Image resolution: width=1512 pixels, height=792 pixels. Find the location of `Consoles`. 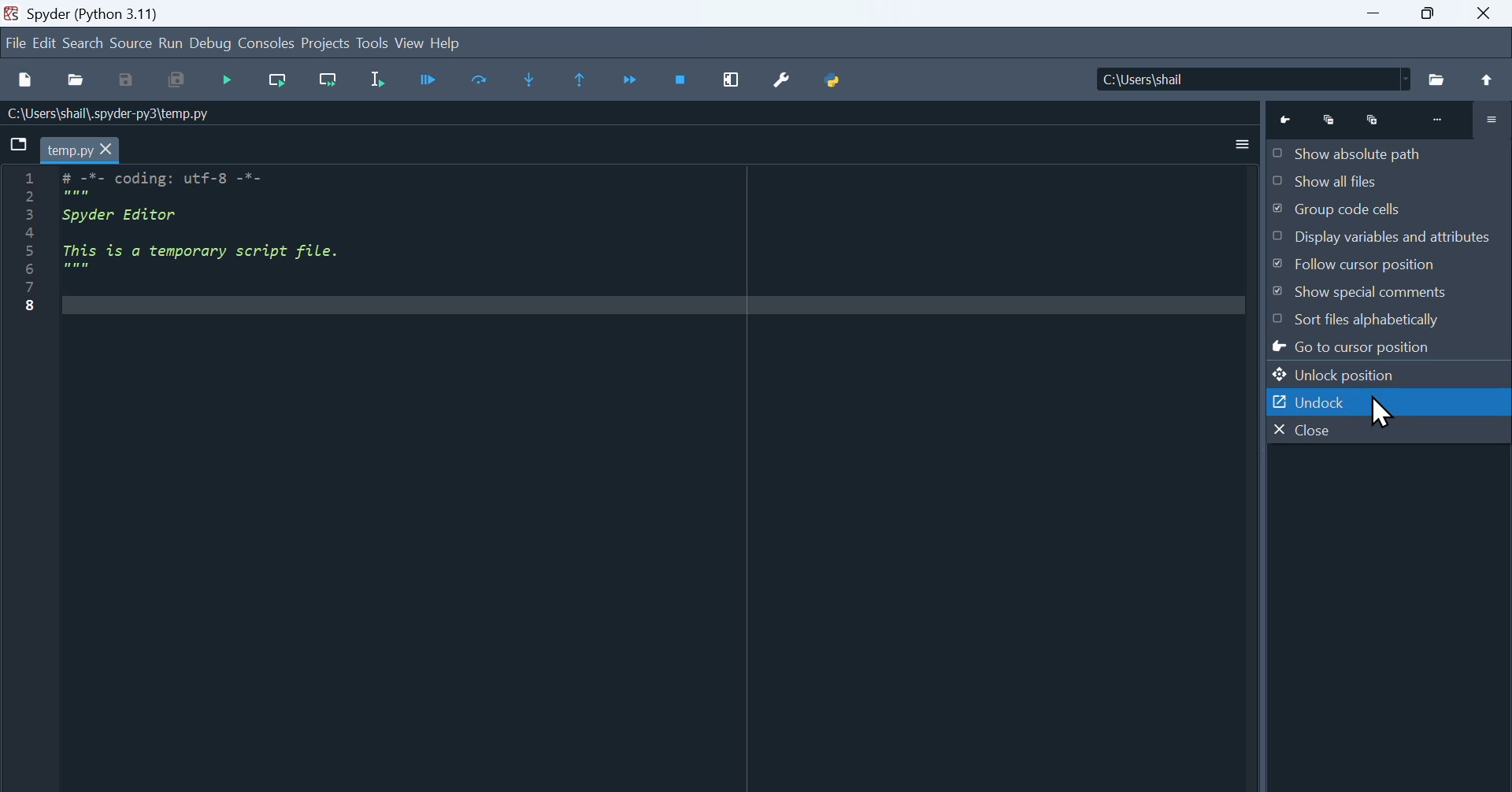

Consoles is located at coordinates (265, 42).